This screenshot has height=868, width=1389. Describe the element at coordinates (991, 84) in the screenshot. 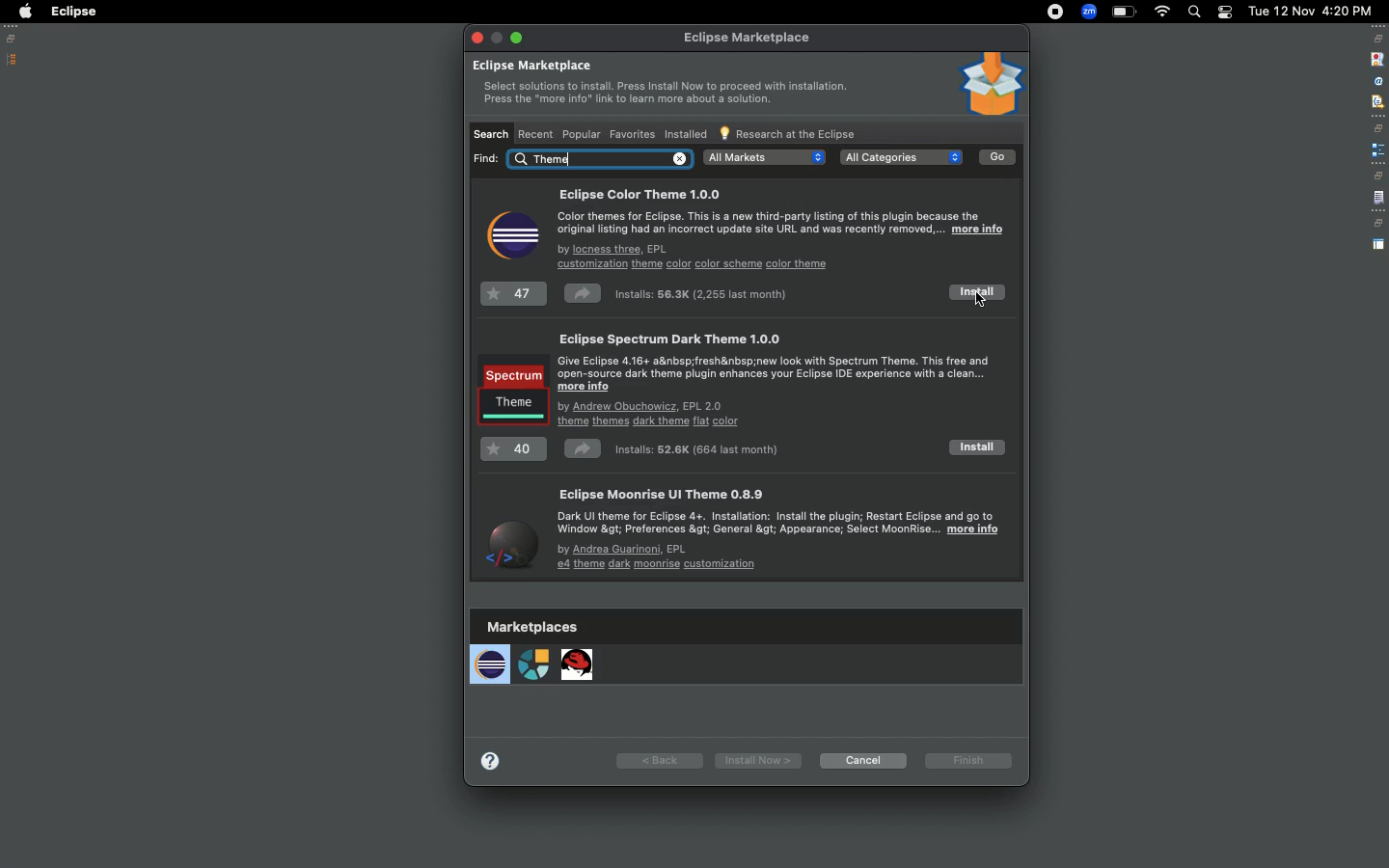

I see `Icon` at that location.